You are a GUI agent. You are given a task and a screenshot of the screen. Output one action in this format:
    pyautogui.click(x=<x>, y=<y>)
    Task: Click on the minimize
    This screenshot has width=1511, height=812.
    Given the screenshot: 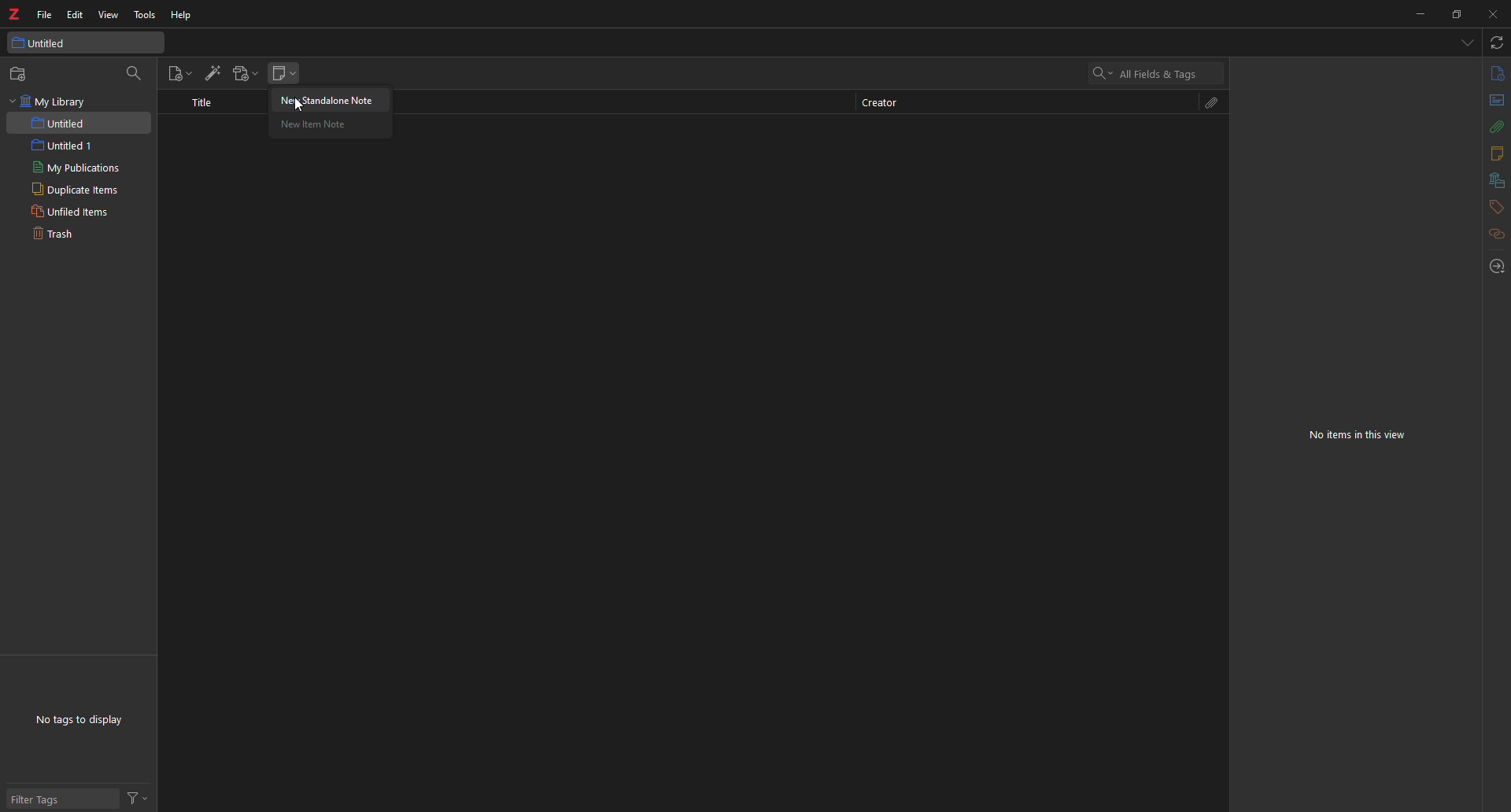 What is the action you would take?
    pyautogui.click(x=1414, y=16)
    